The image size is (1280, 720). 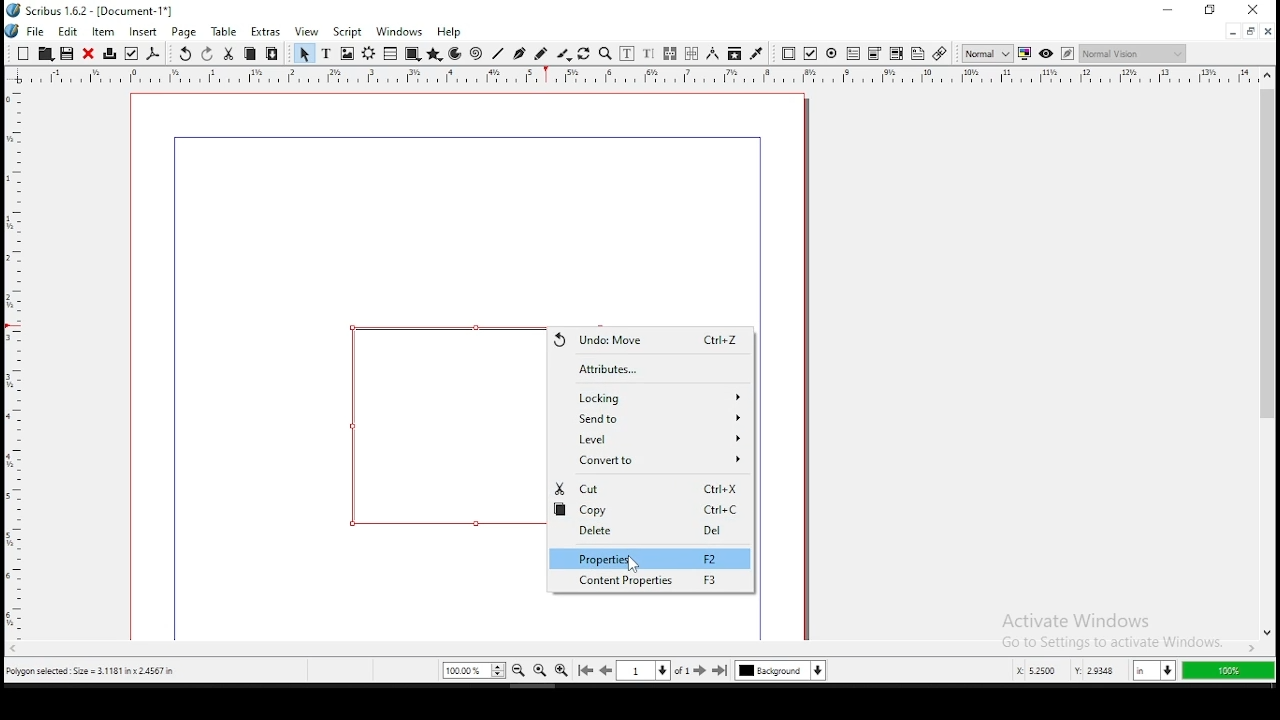 I want to click on horizontal ruler, so click(x=14, y=353).